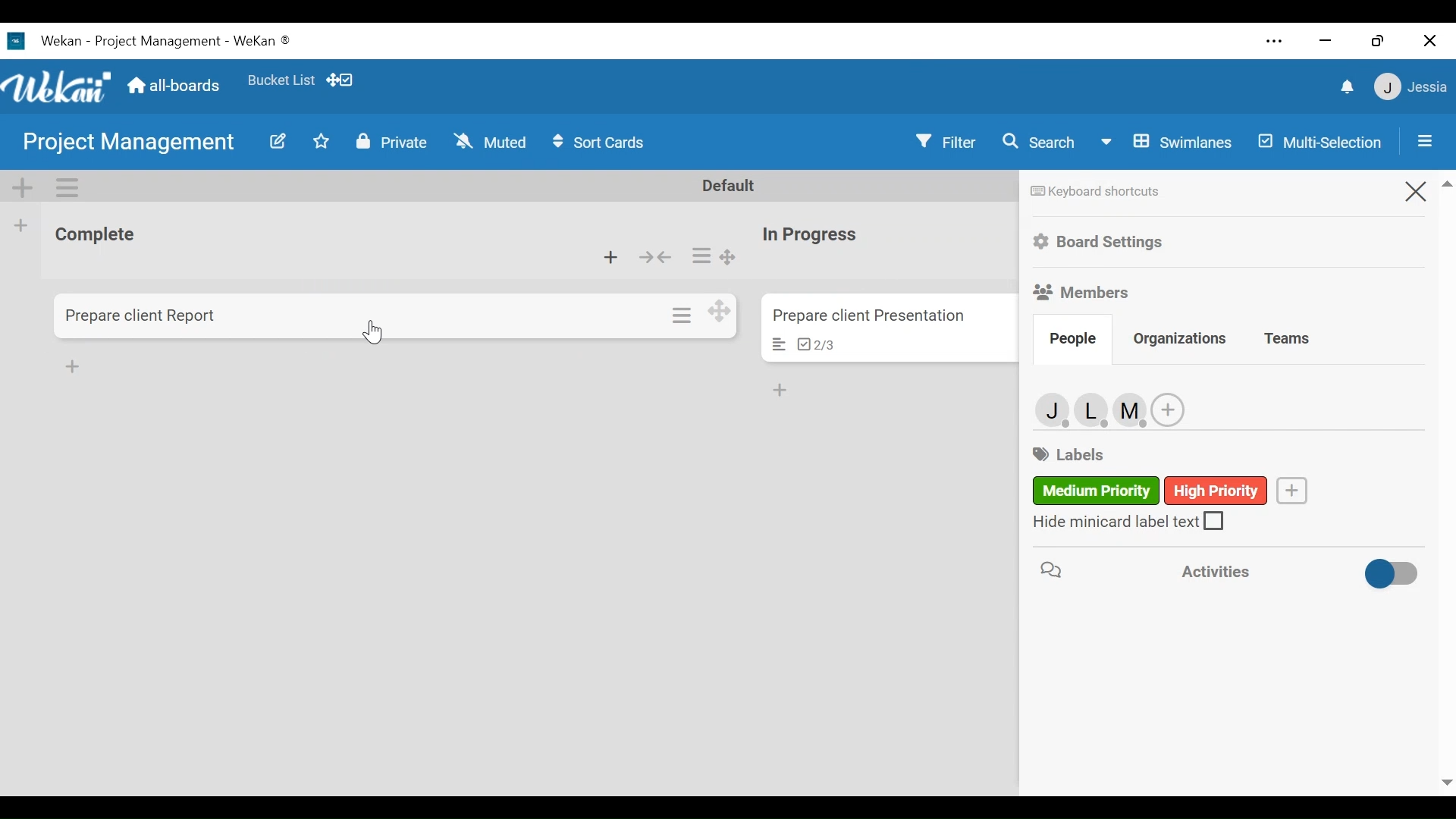  I want to click on Add card to the top of the list, so click(612, 258).